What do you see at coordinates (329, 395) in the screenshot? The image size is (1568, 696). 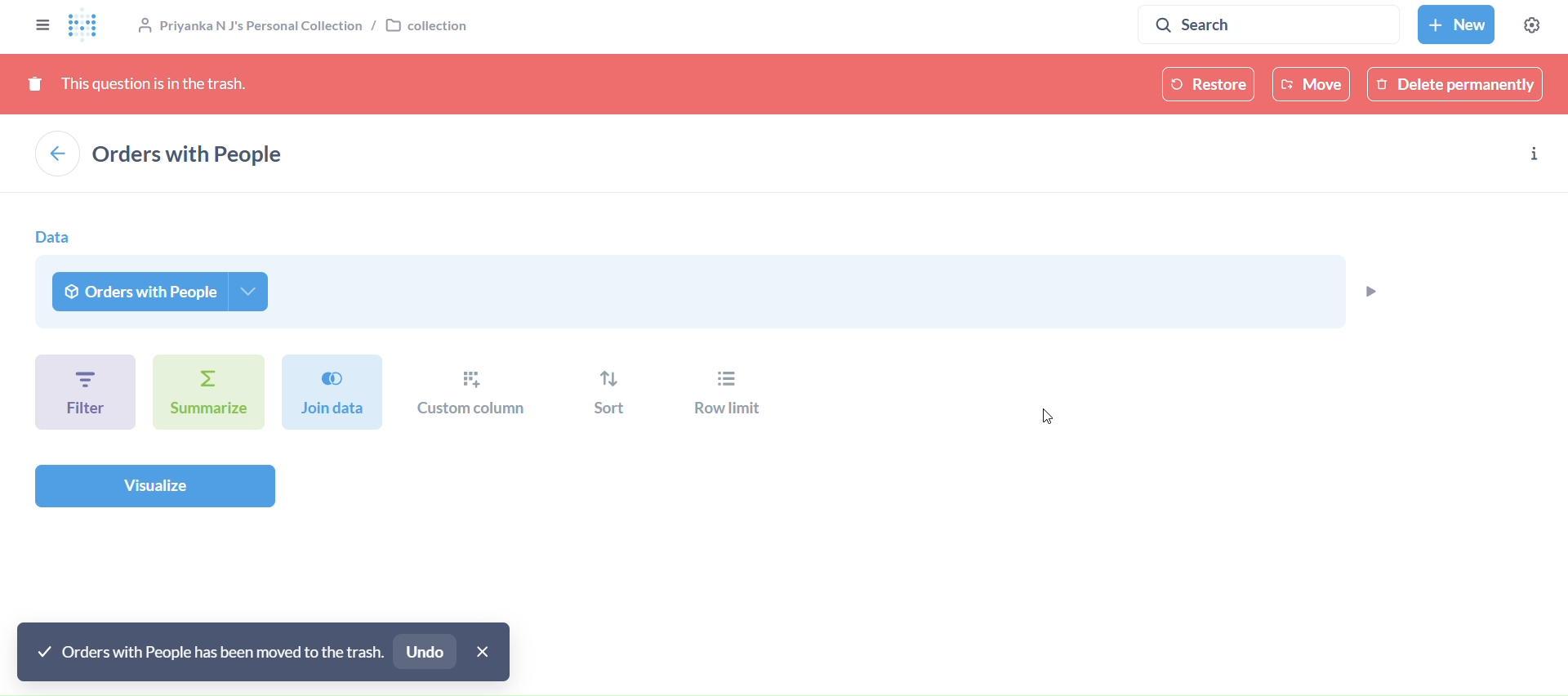 I see `join dat` at bounding box center [329, 395].